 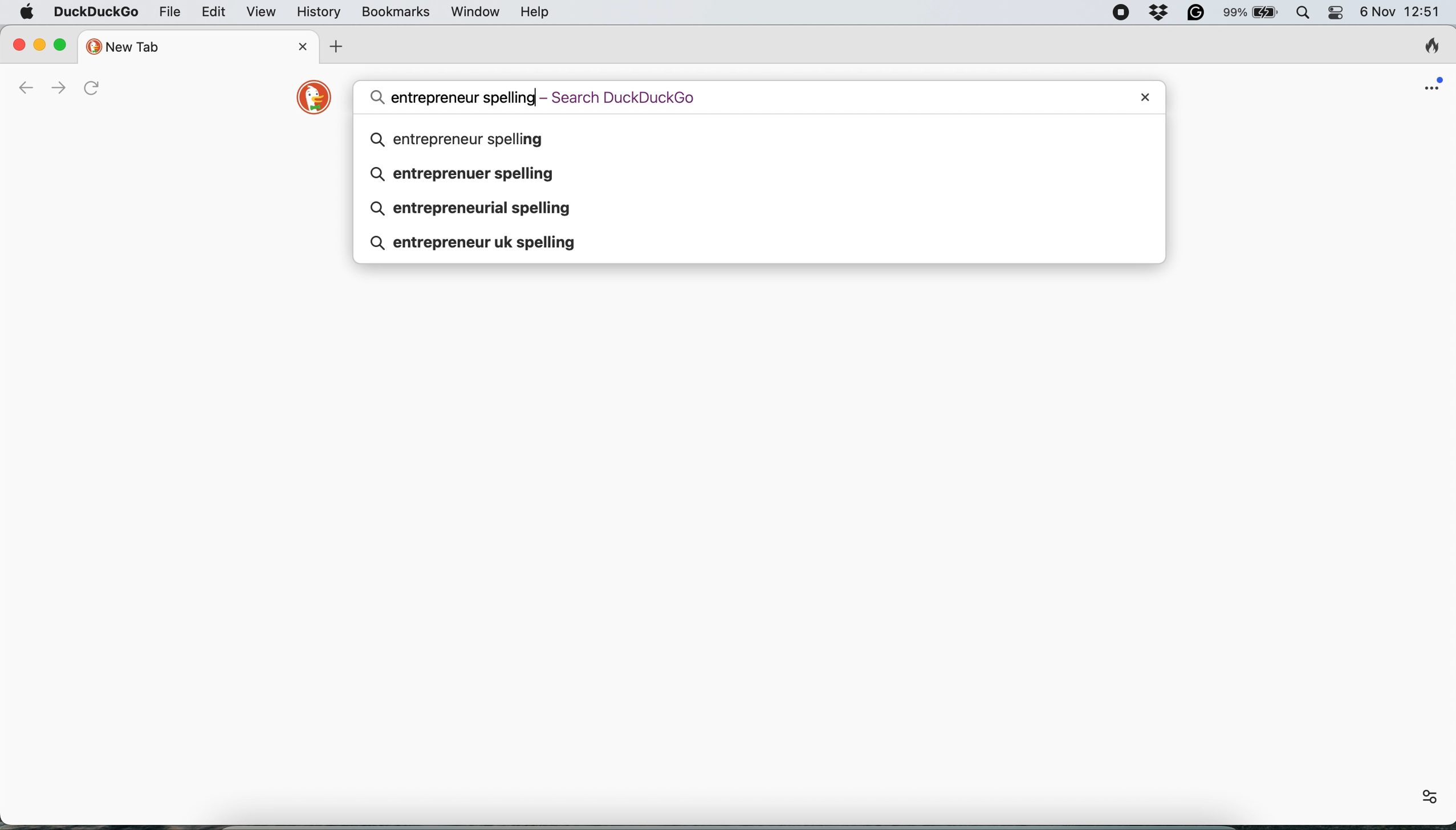 I want to click on file, so click(x=168, y=13).